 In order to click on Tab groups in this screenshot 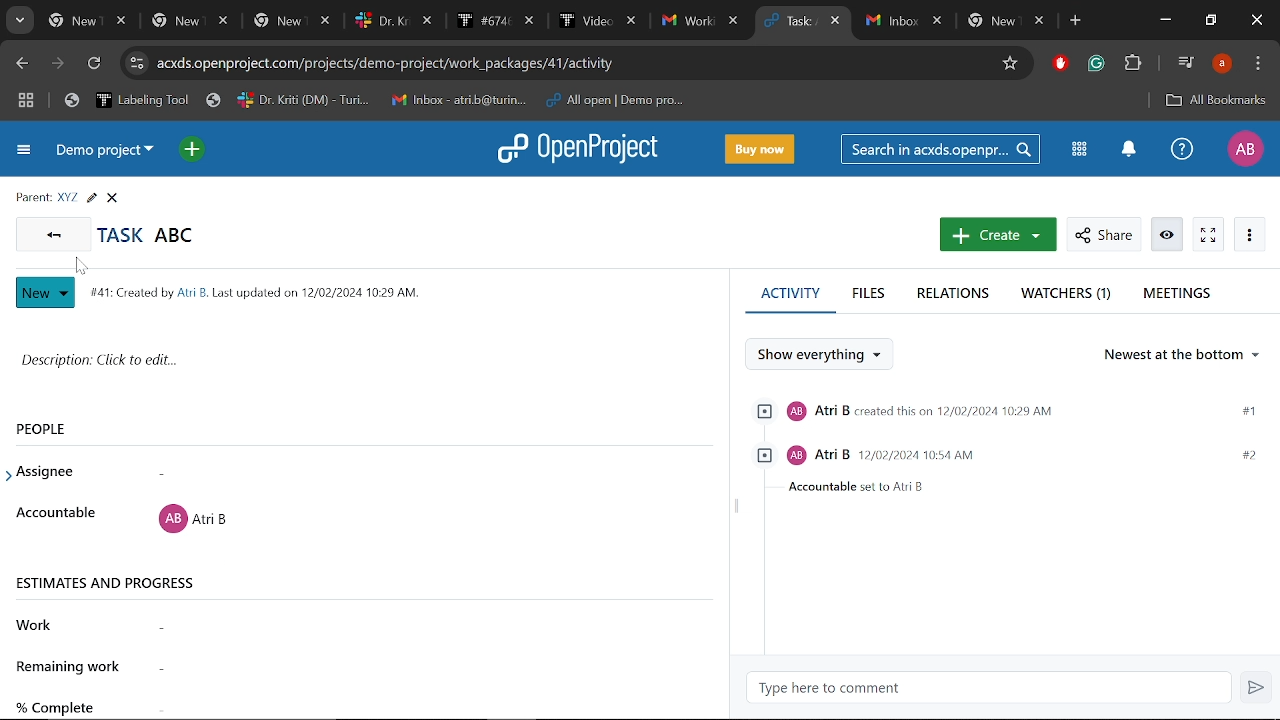, I will do `click(28, 102)`.